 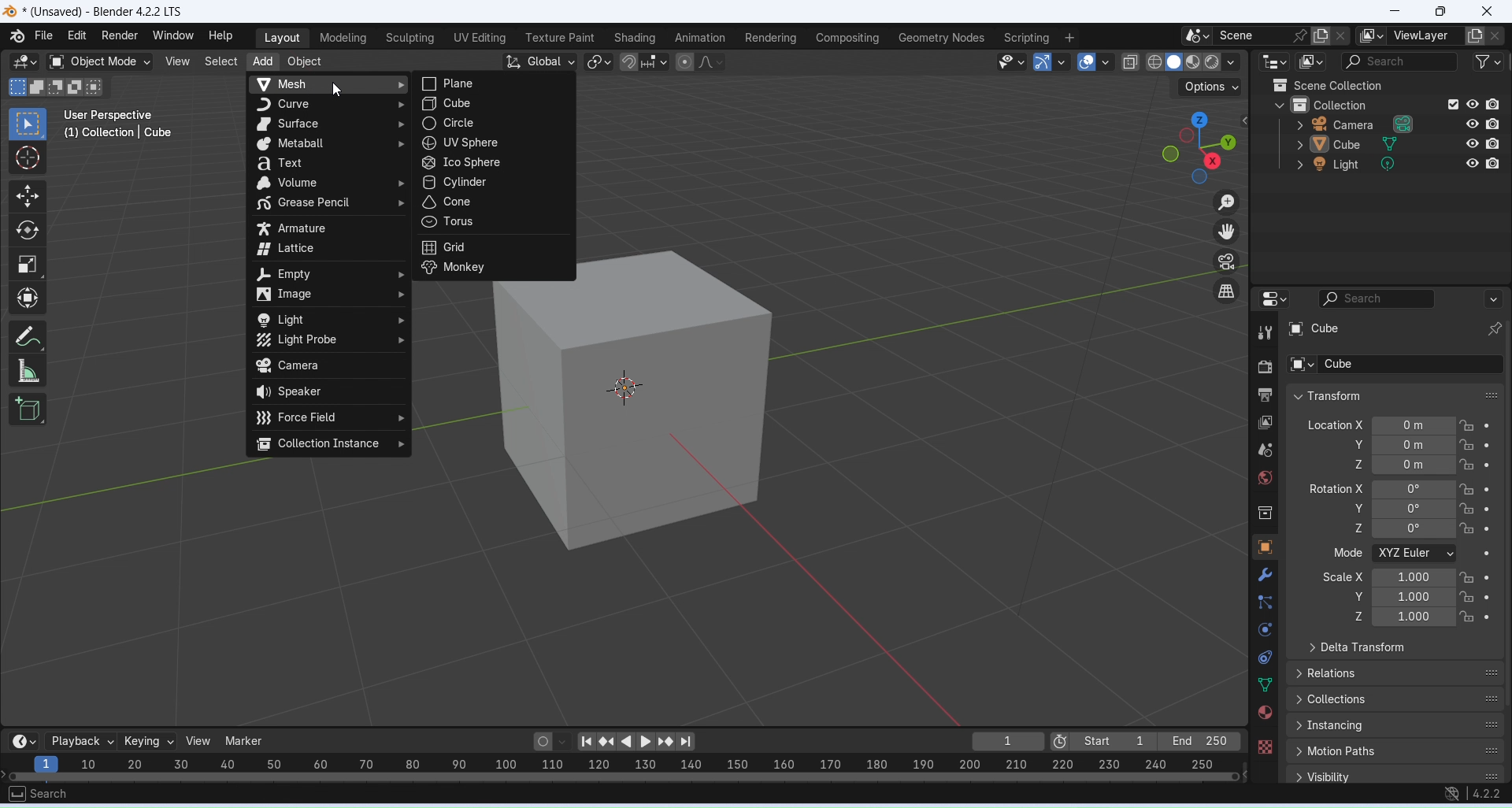 What do you see at coordinates (28, 124) in the screenshot?
I see `Select box` at bounding box center [28, 124].